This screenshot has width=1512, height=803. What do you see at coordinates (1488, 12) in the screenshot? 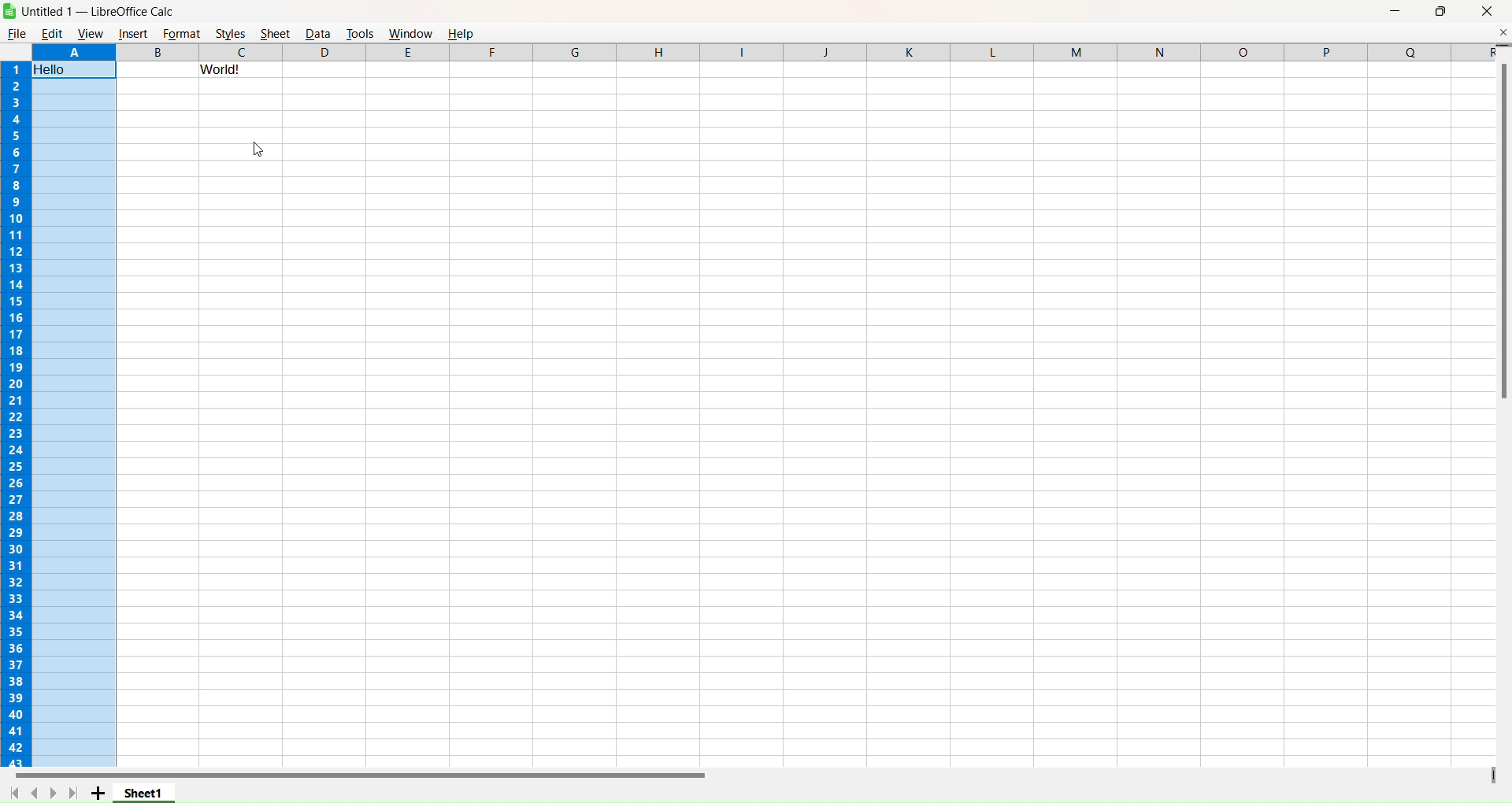
I see `Close` at bounding box center [1488, 12].